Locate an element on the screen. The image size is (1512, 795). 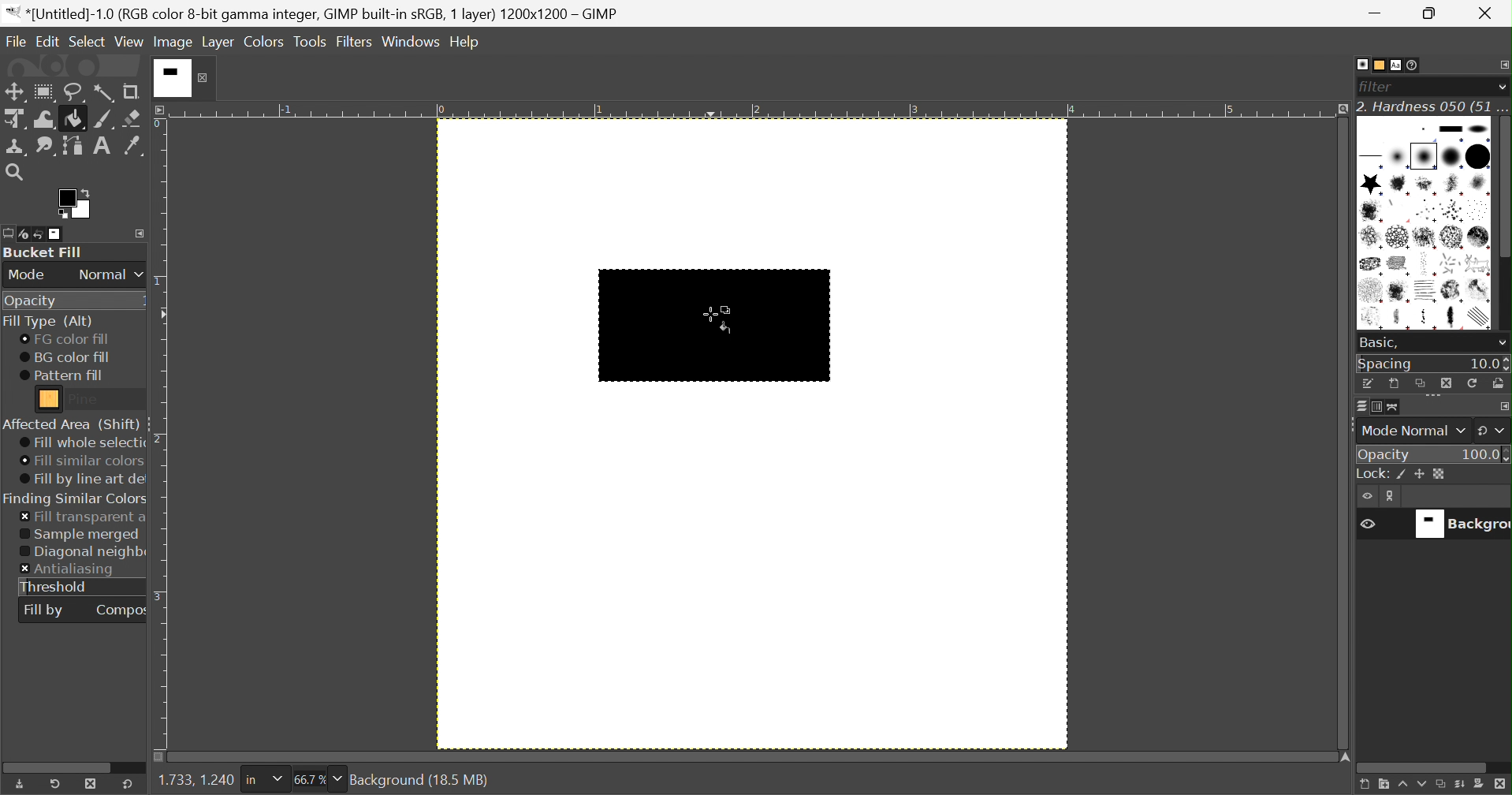
Pencil is located at coordinates (1400, 319).